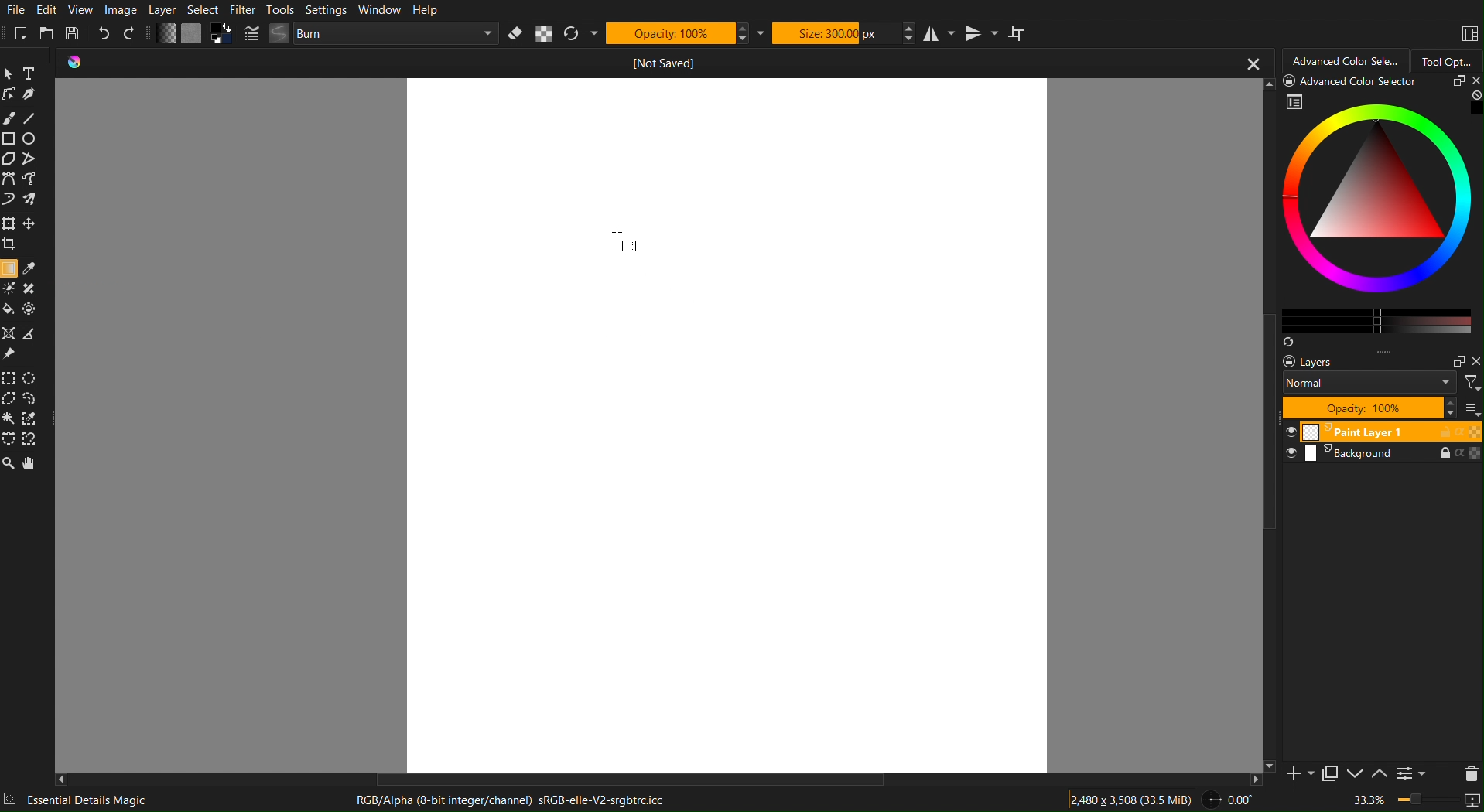  What do you see at coordinates (23, 232) in the screenshot?
I see `Move Tools` at bounding box center [23, 232].